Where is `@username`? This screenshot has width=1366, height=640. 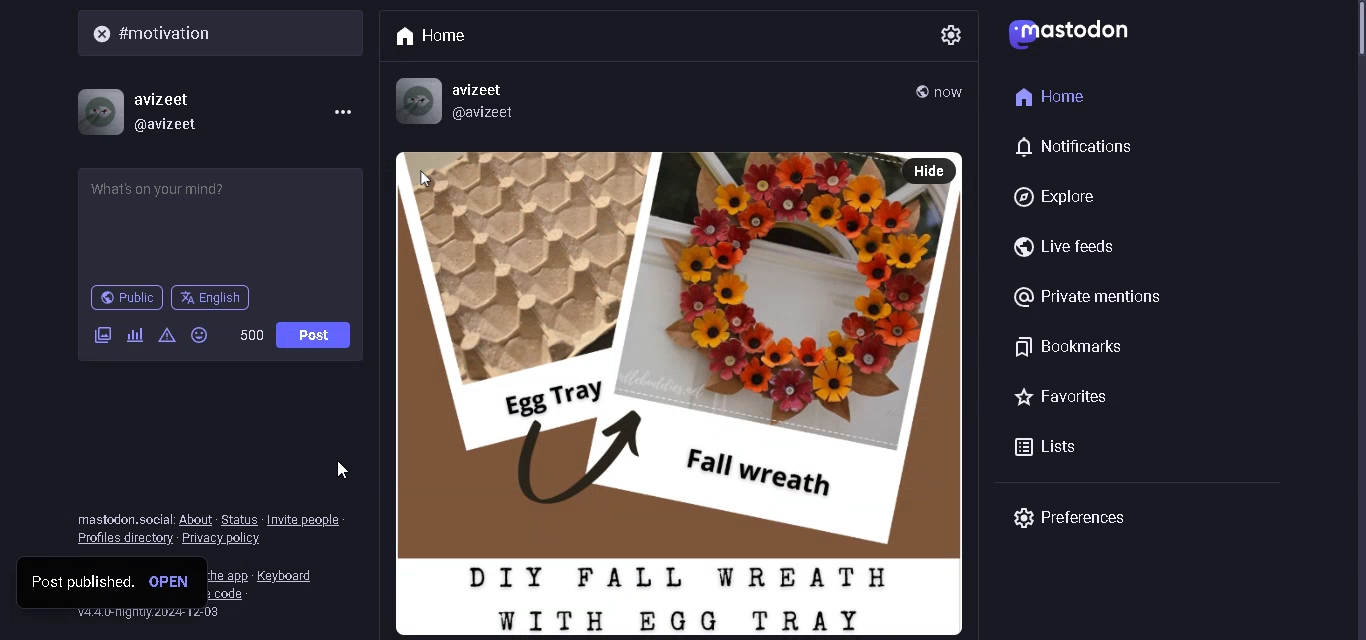 @username is located at coordinates (175, 126).